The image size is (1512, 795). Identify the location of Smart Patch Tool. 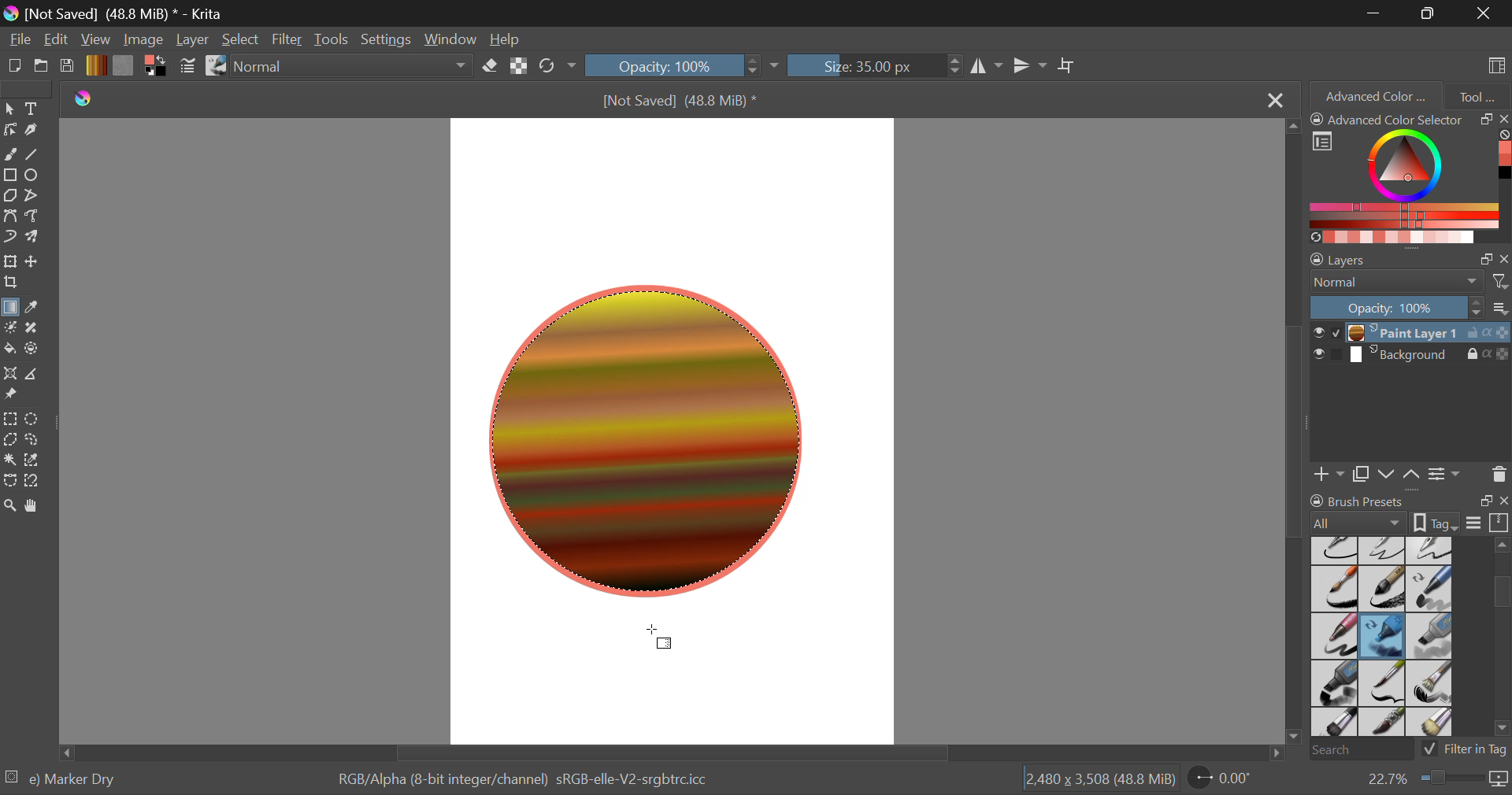
(35, 329).